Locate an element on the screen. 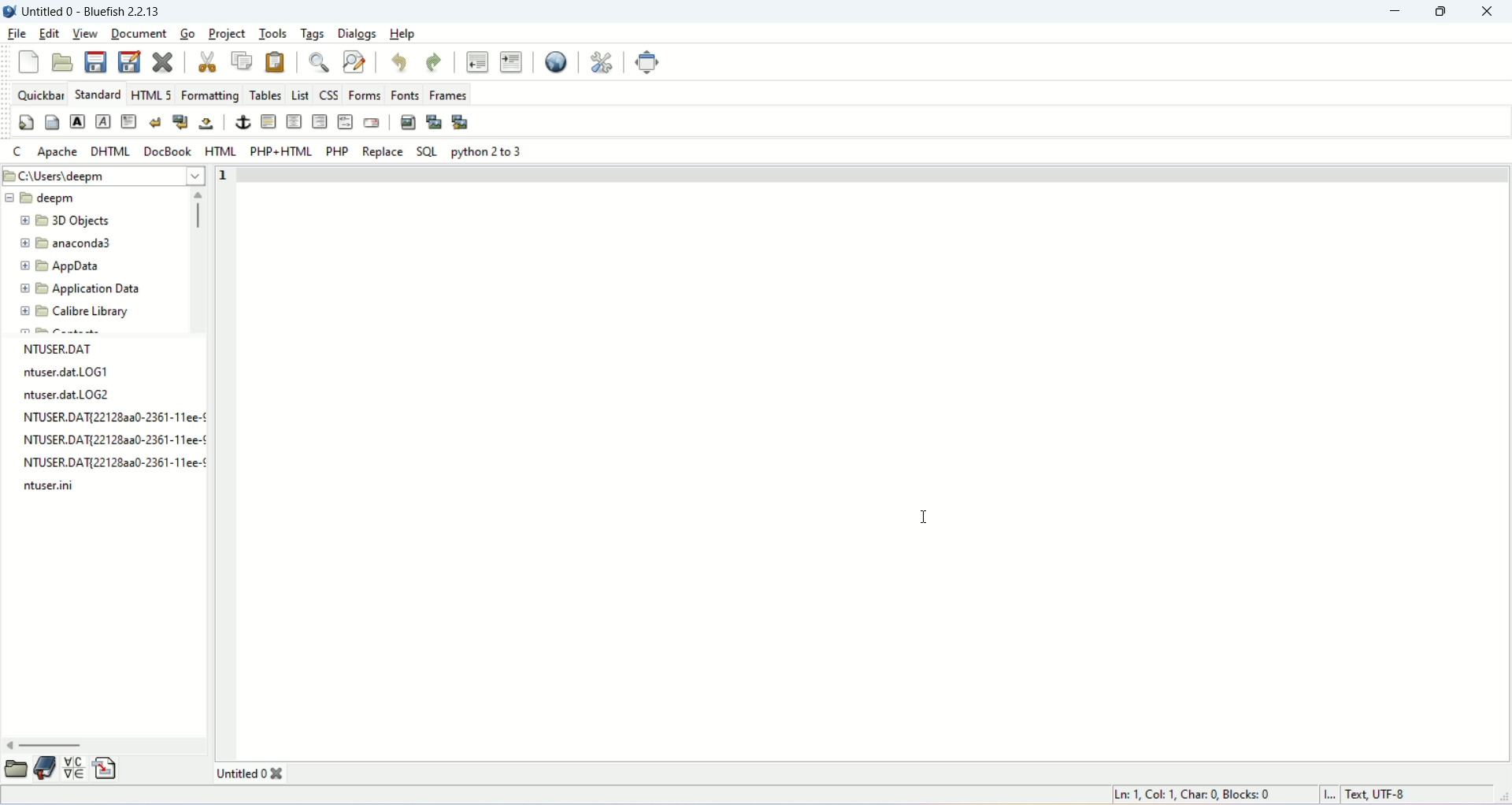  STANDARD is located at coordinates (97, 93).